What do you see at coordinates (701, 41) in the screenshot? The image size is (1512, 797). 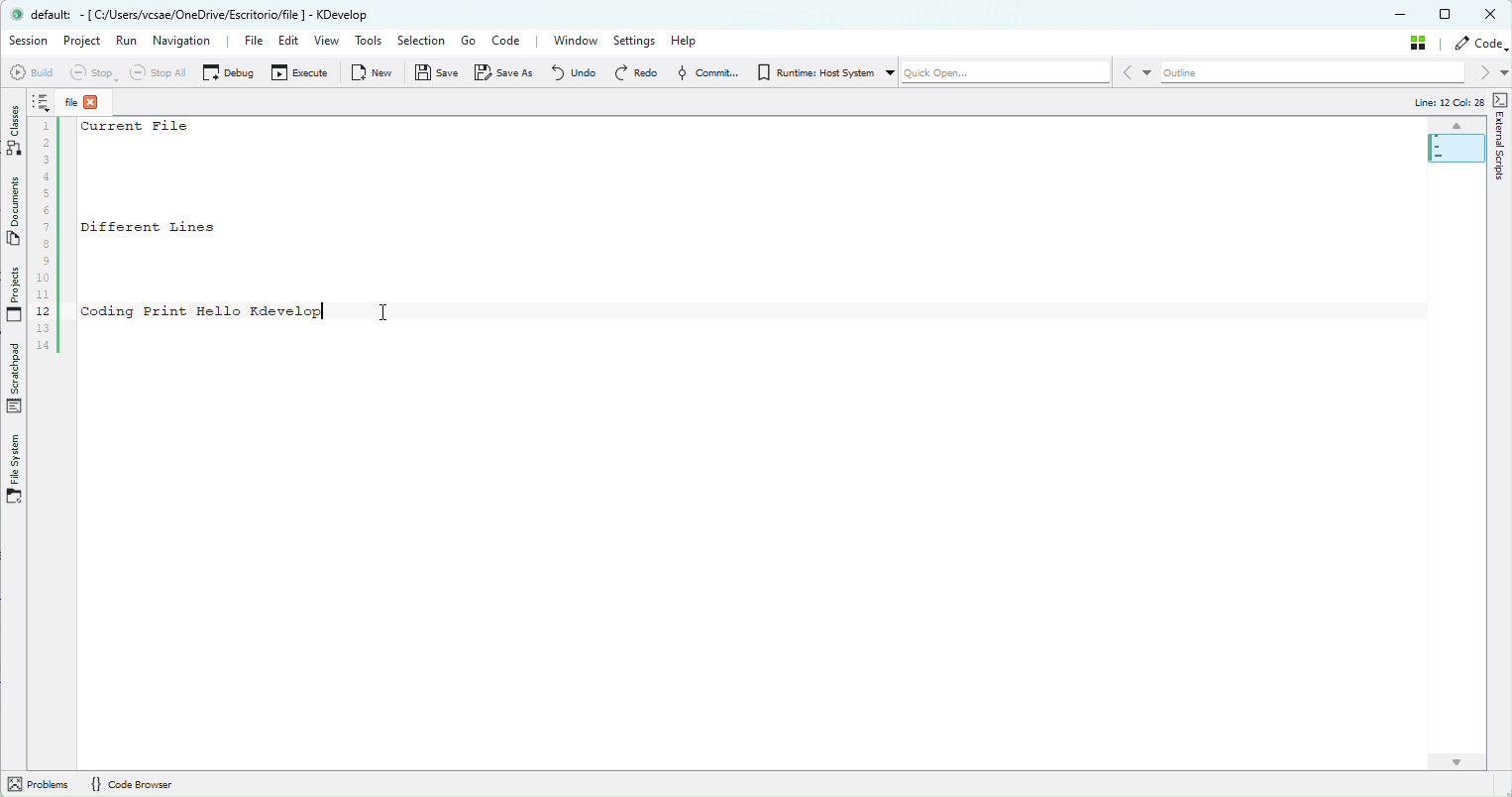 I see `Help` at bounding box center [701, 41].